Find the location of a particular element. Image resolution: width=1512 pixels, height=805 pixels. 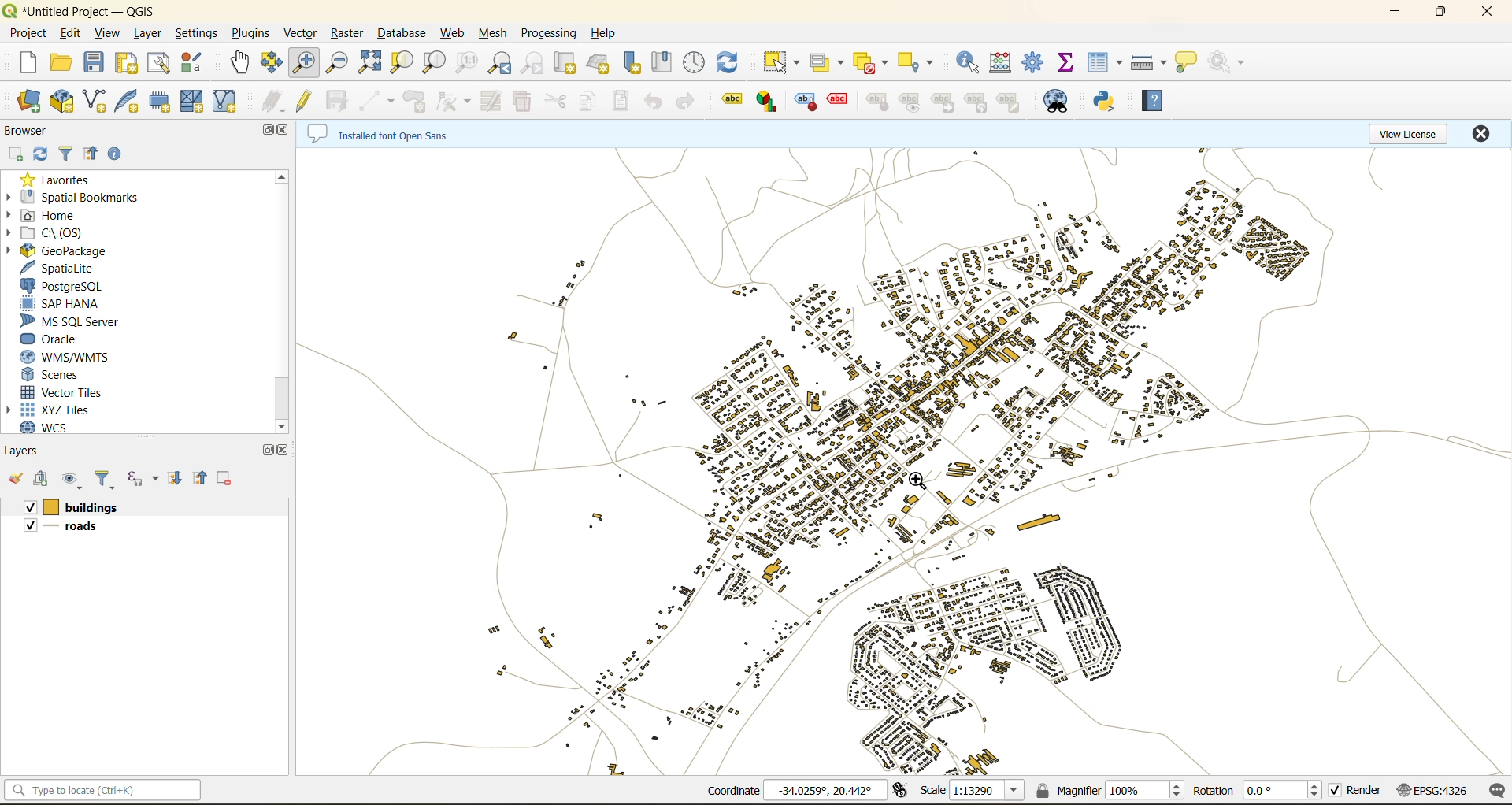

new shapefile layer is located at coordinates (98, 101).